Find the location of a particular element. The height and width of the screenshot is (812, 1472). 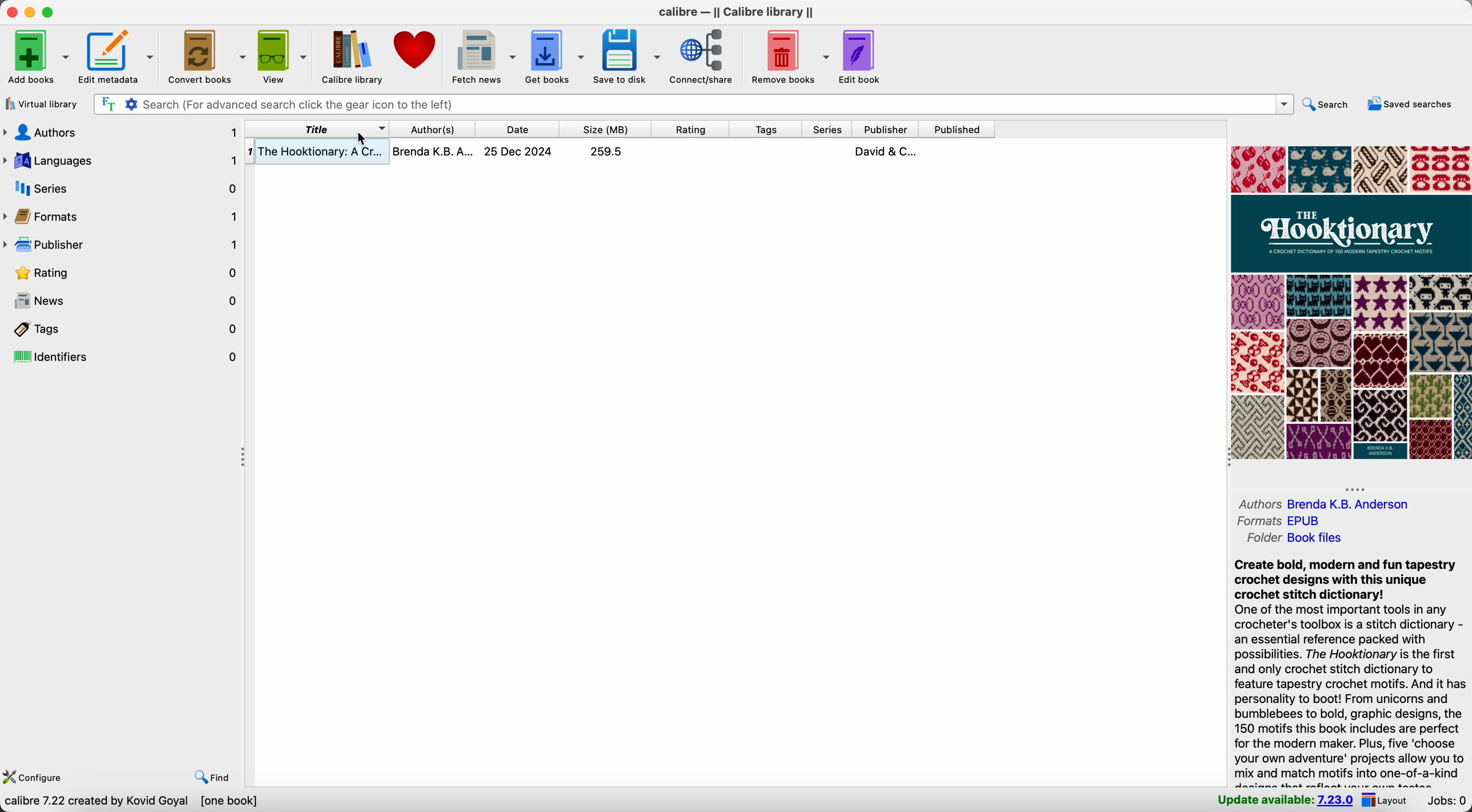

update available is located at coordinates (1286, 801).